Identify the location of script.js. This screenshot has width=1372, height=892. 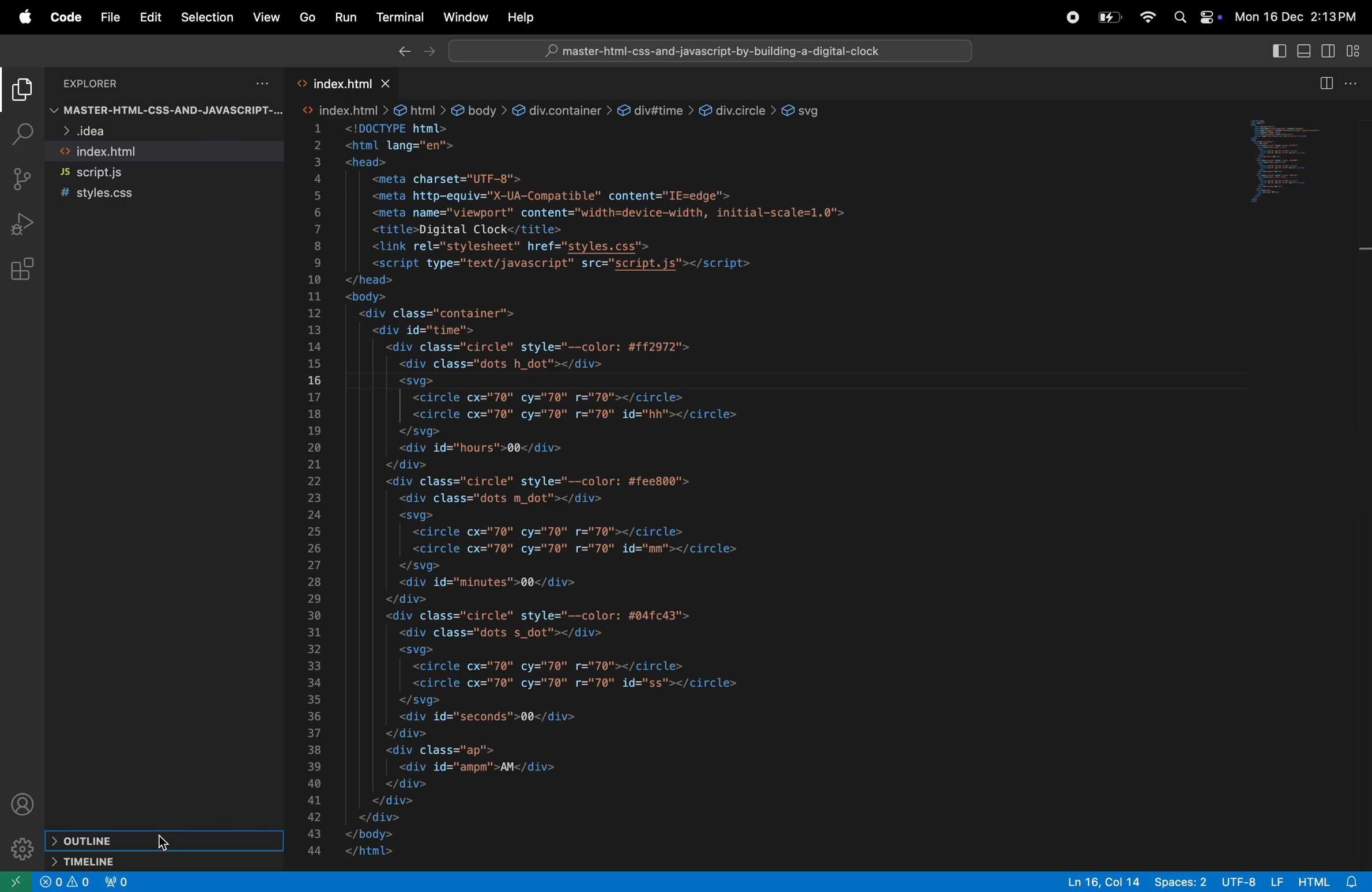
(161, 172).